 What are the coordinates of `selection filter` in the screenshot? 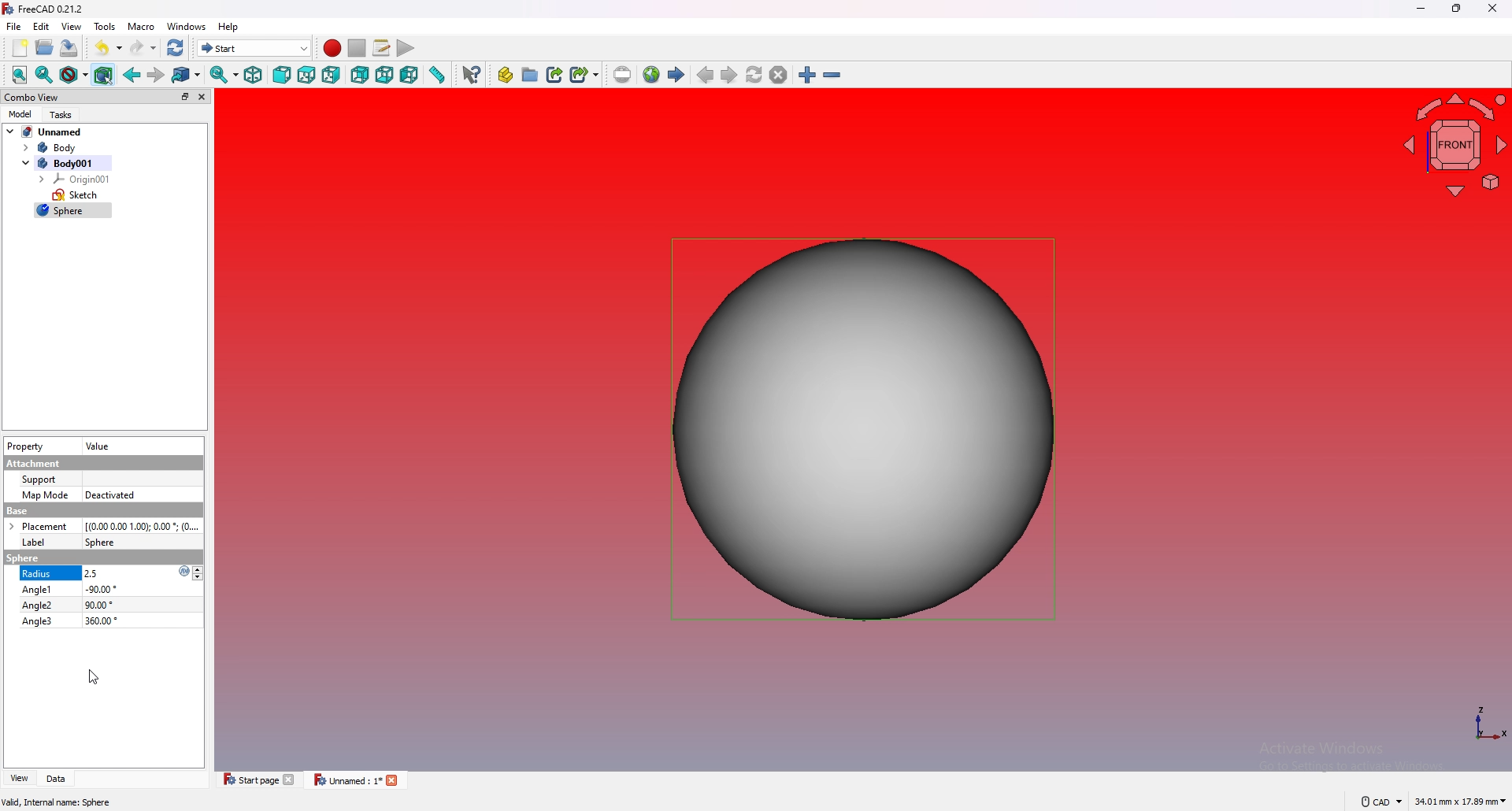 It's located at (102, 76).